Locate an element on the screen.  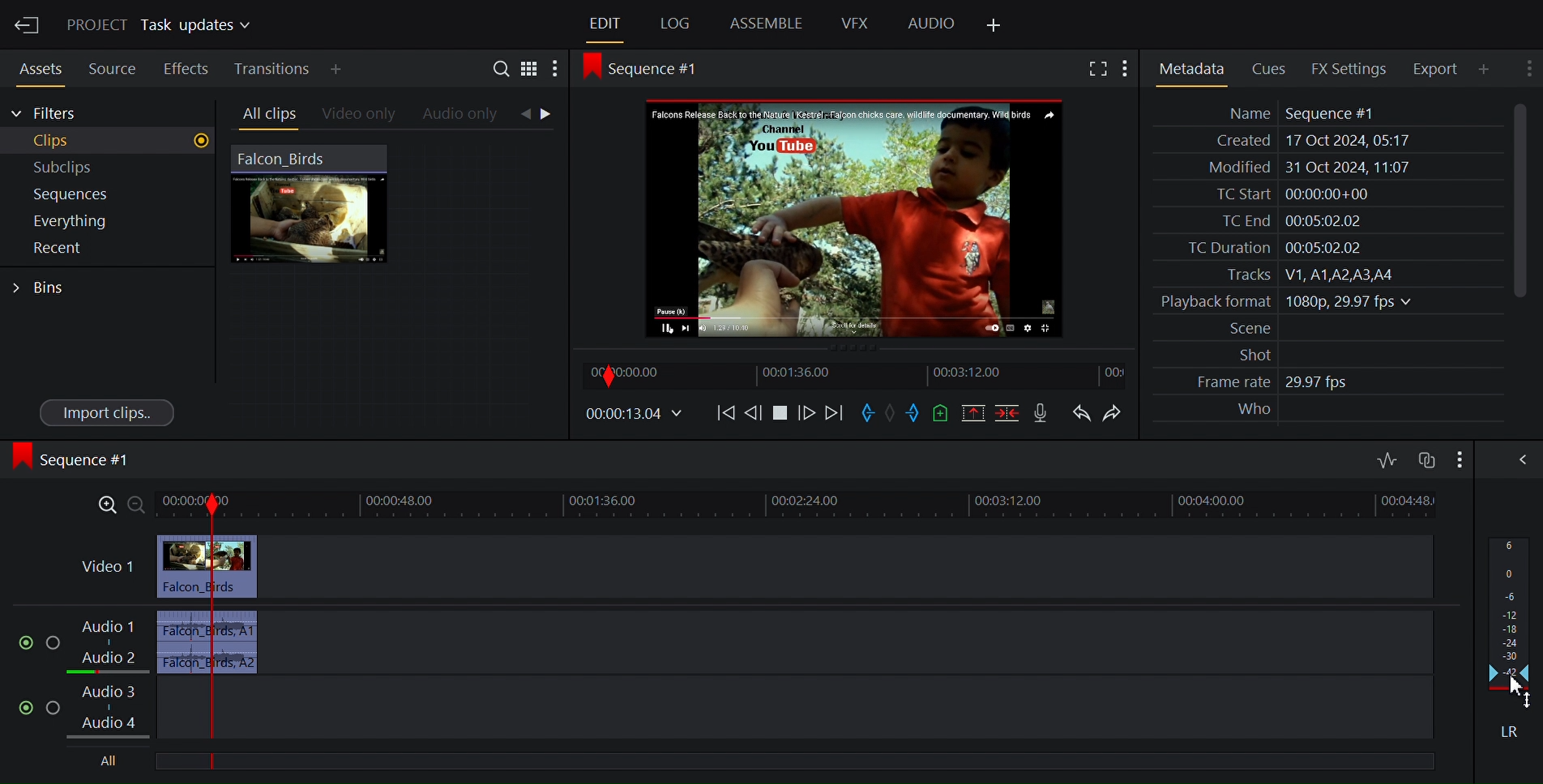
Clear marks is located at coordinates (891, 415).